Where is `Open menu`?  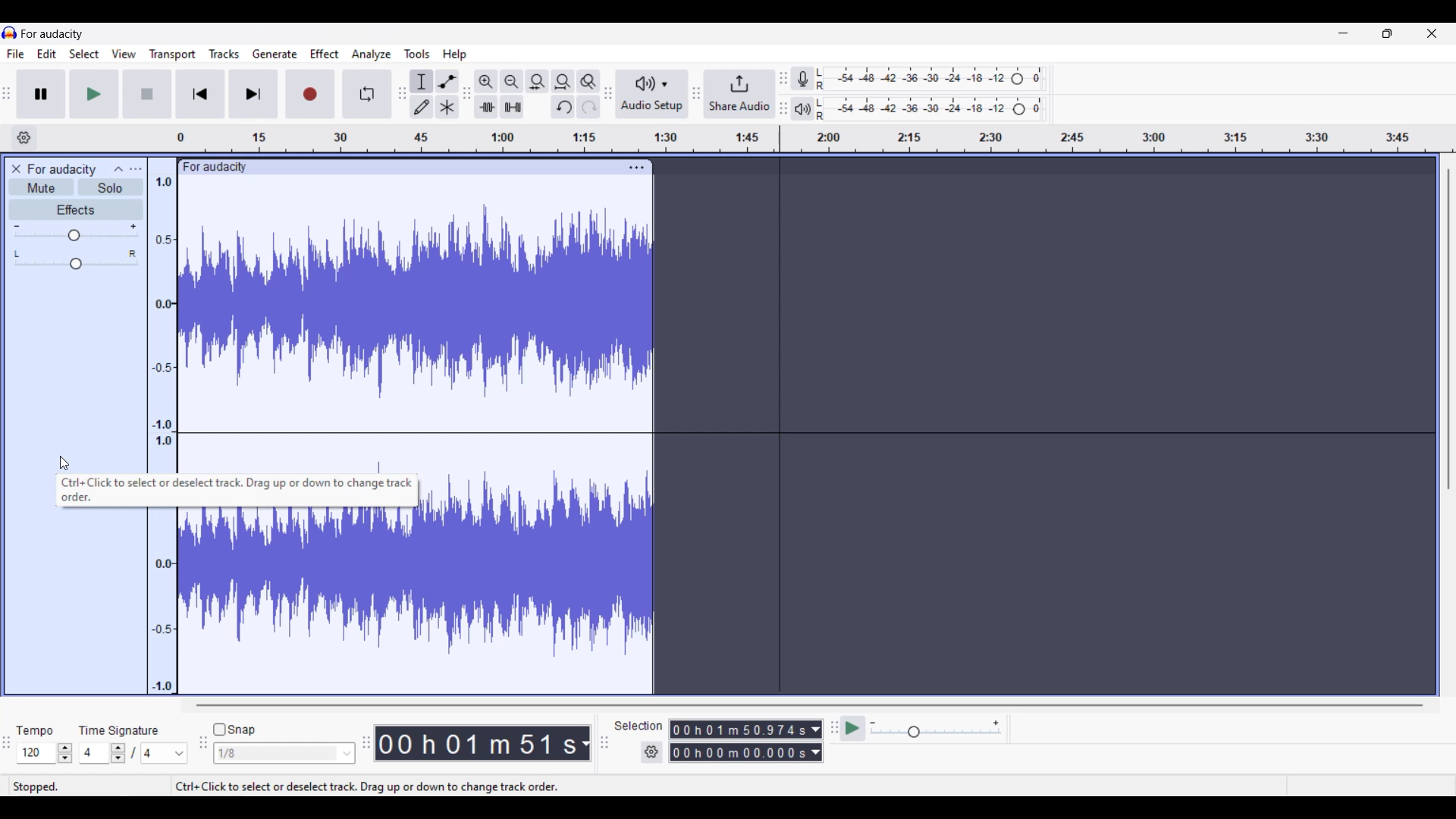 Open menu is located at coordinates (136, 169).